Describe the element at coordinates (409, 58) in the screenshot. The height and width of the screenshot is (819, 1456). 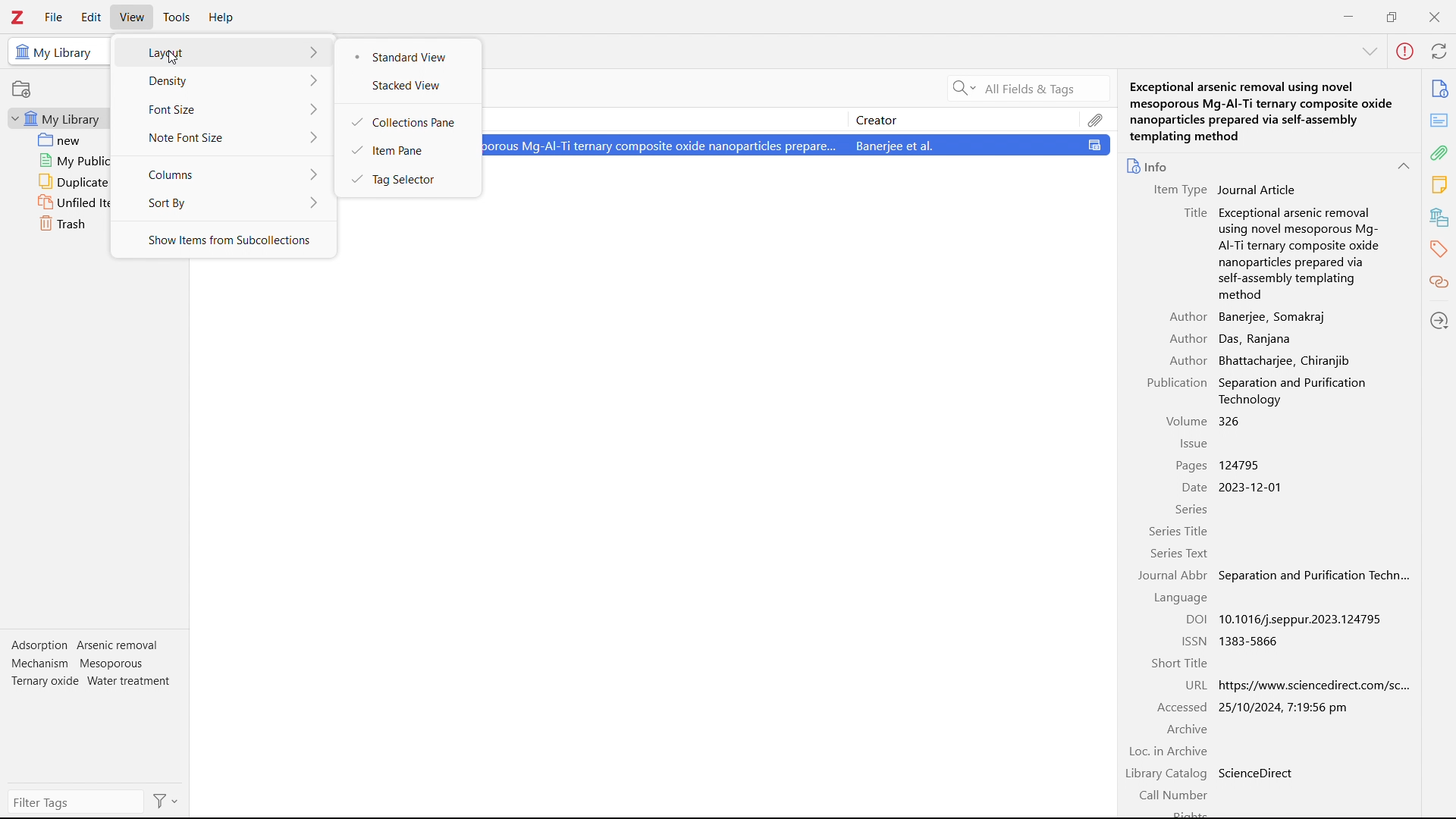
I see `standard view` at that location.